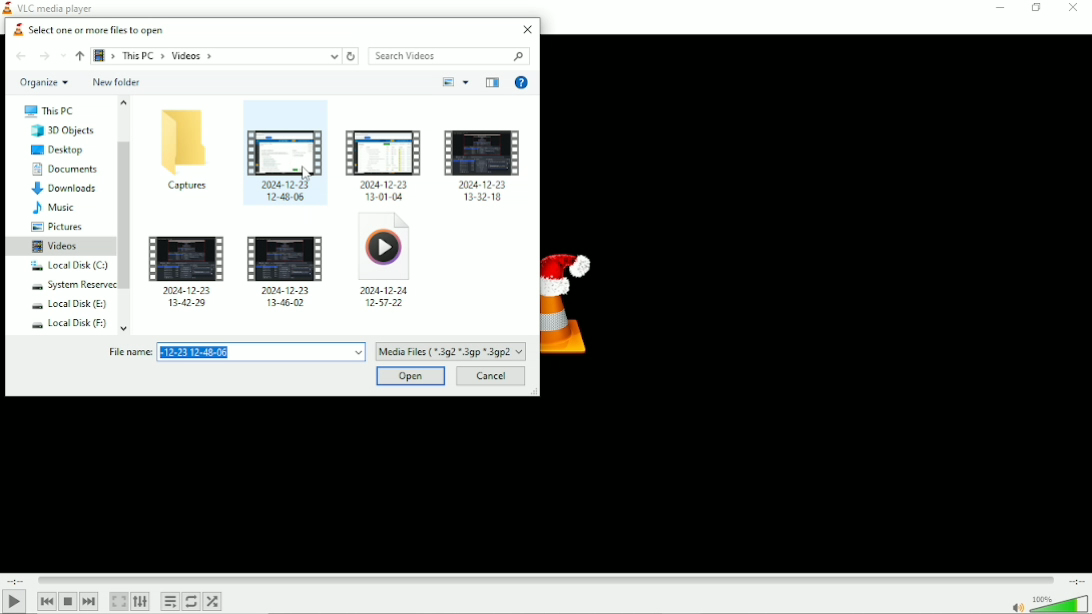  Describe the element at coordinates (46, 602) in the screenshot. I see `Previous` at that location.